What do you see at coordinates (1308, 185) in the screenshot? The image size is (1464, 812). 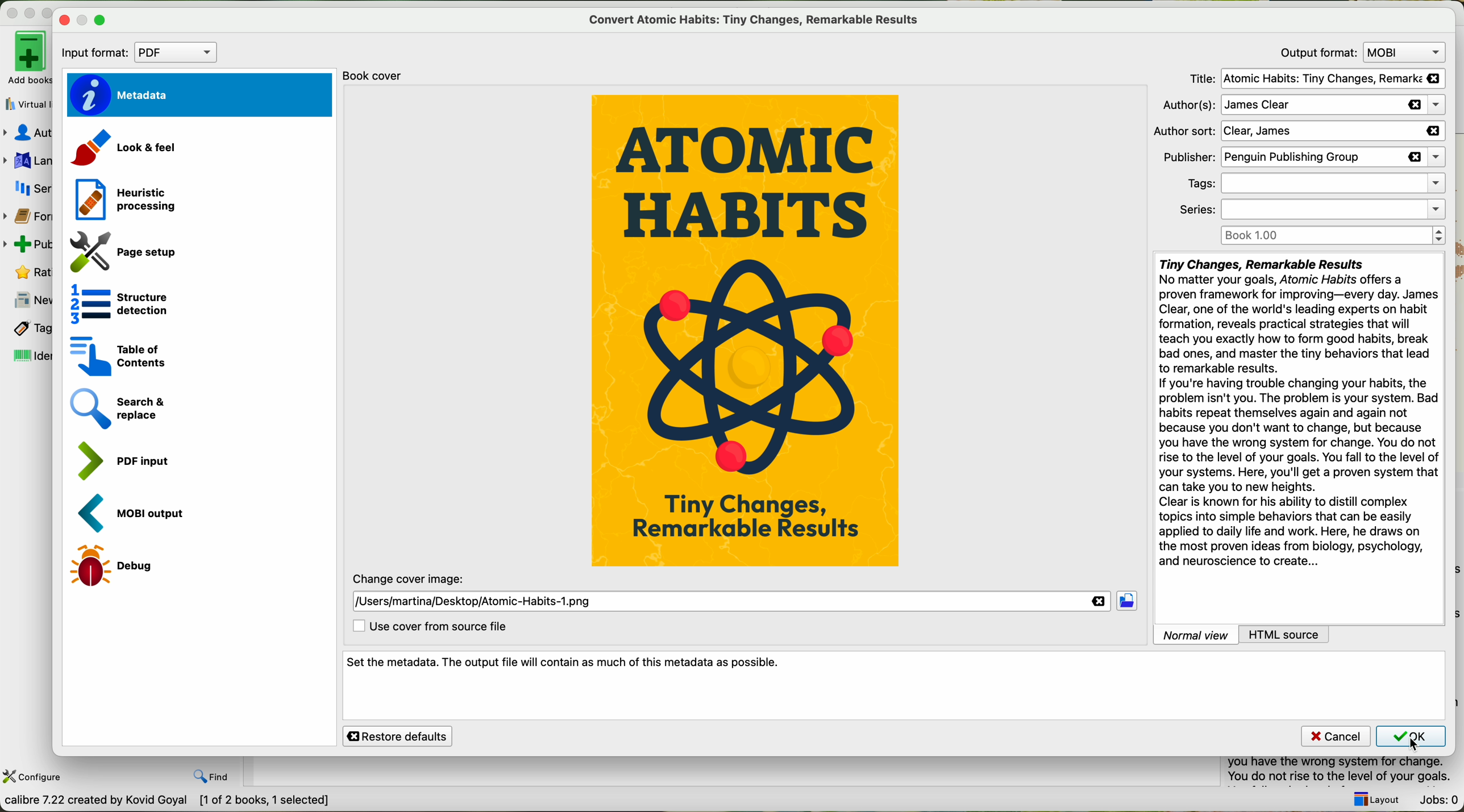 I see `tags` at bounding box center [1308, 185].